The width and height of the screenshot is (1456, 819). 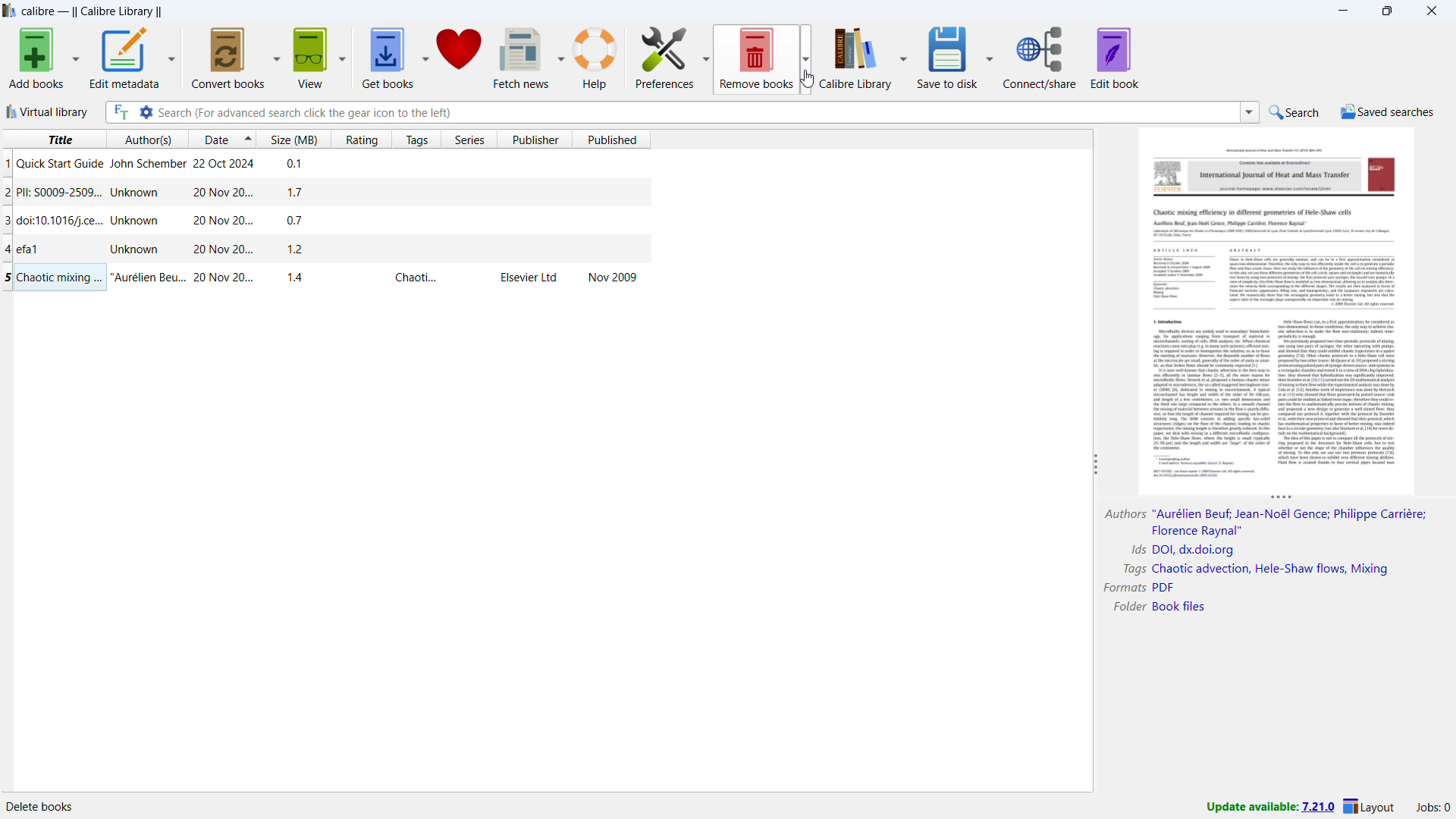 I want to click on full text search, so click(x=120, y=111).